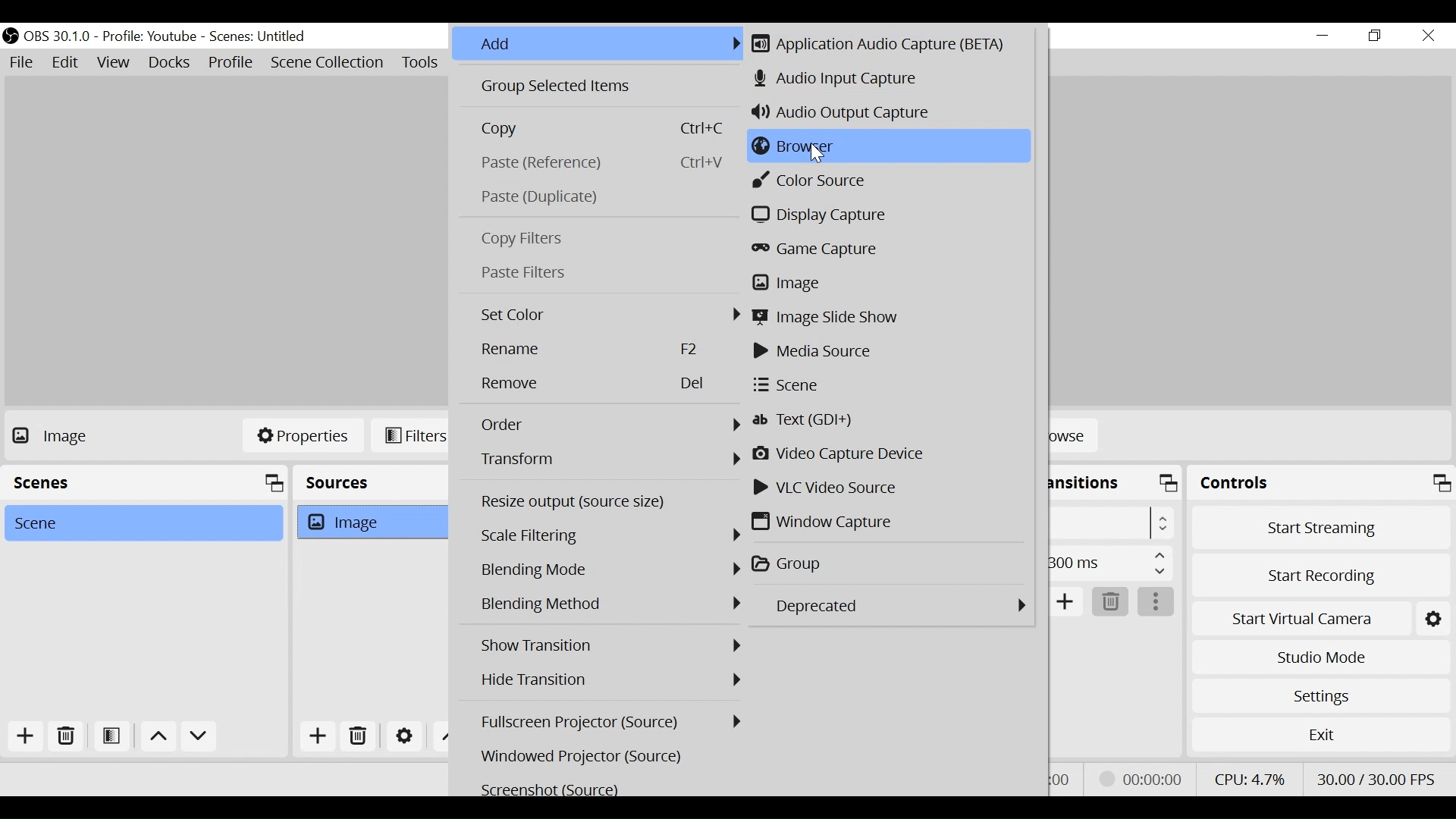  What do you see at coordinates (261, 37) in the screenshot?
I see `Scene Name` at bounding box center [261, 37].